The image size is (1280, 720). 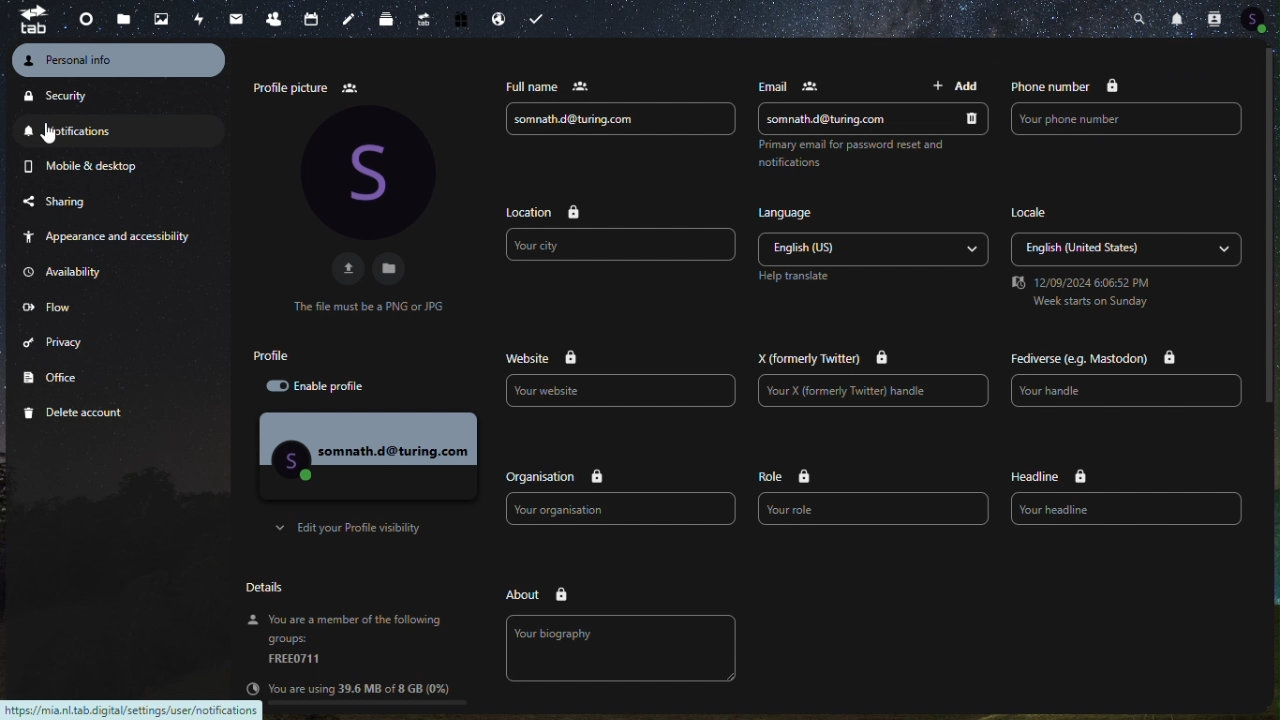 What do you see at coordinates (623, 120) in the screenshot?
I see `somnath.d@turing.com` at bounding box center [623, 120].